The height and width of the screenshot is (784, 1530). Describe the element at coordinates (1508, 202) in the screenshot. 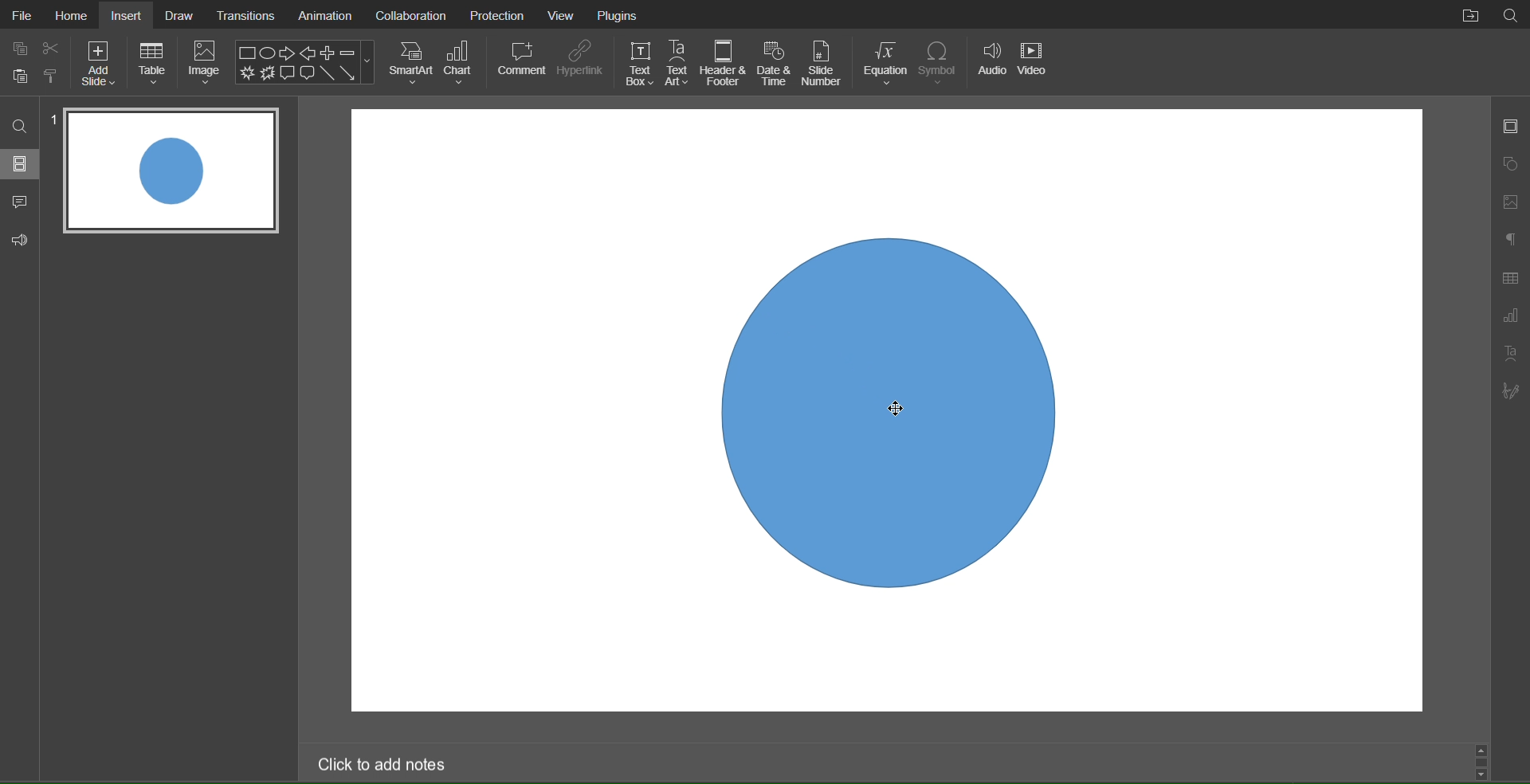

I see `Image Settings` at that location.